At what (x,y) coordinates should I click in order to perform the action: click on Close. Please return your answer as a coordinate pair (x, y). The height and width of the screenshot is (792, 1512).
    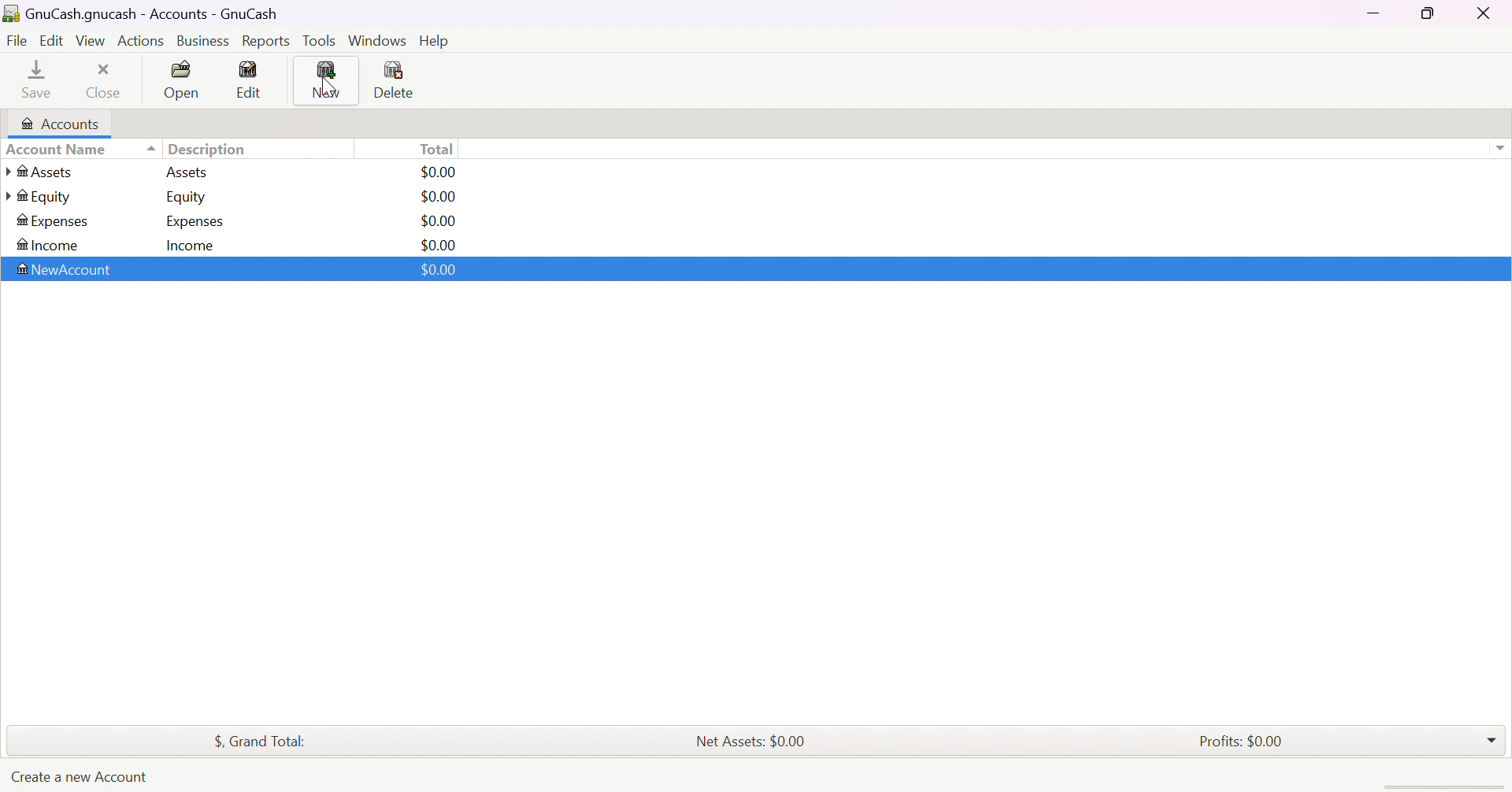
    Looking at the image, I should click on (105, 83).